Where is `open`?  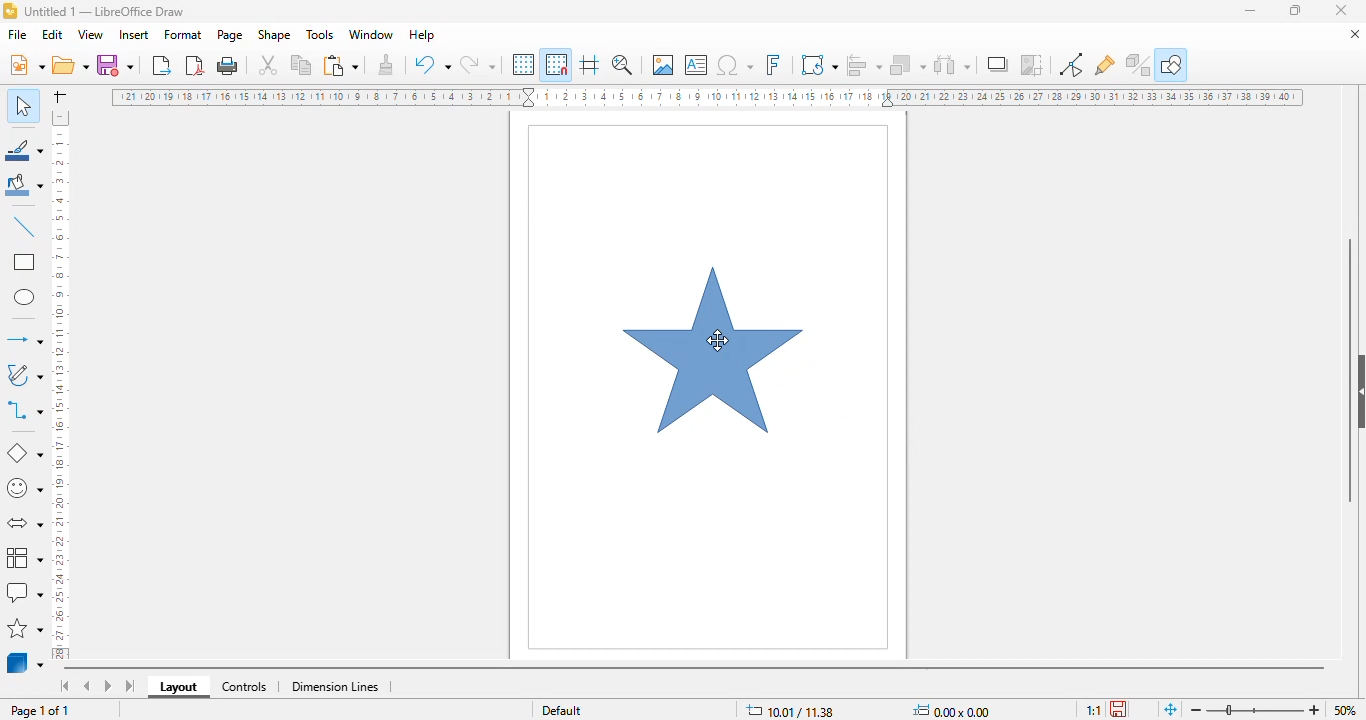 open is located at coordinates (71, 65).